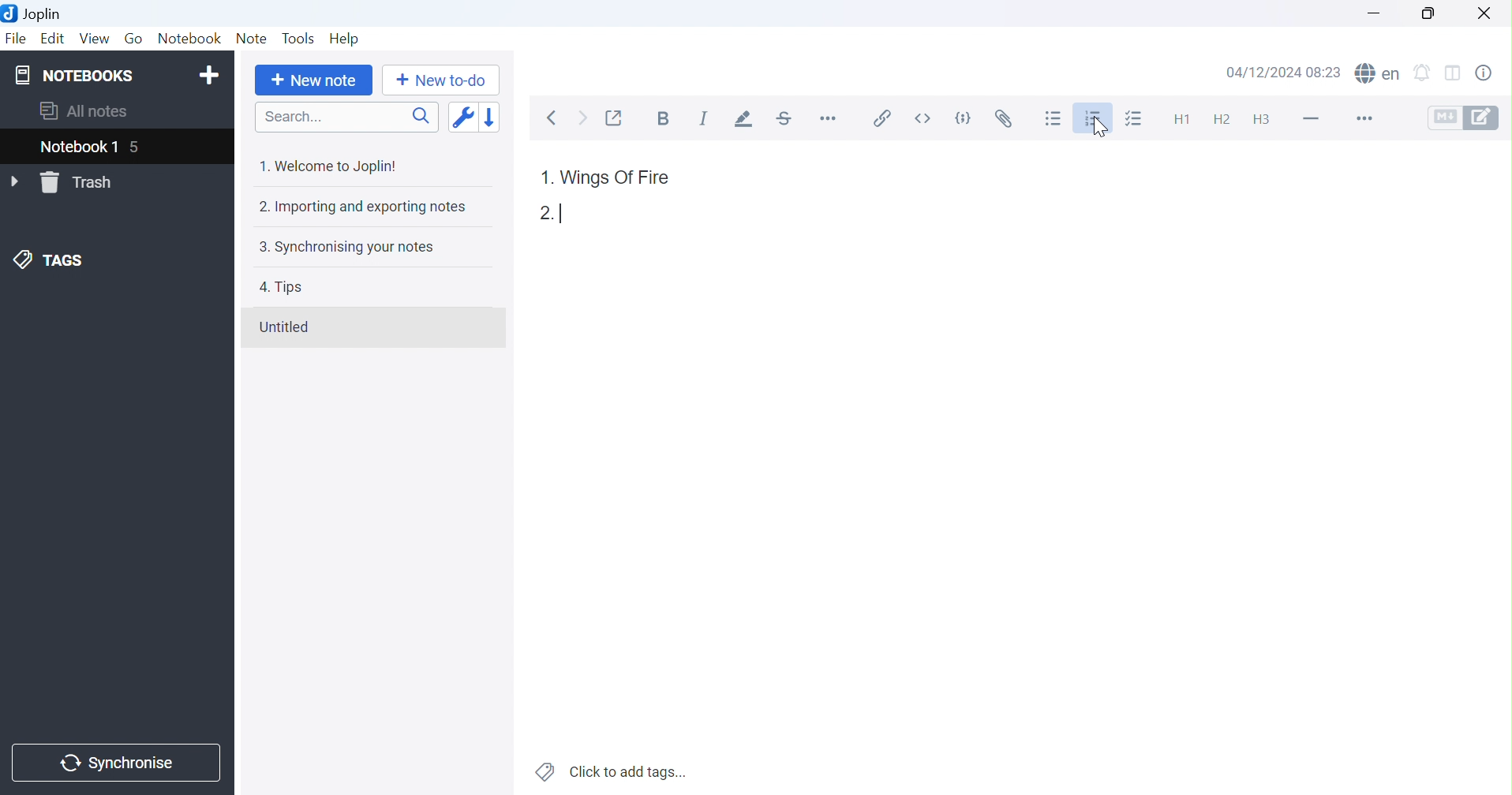 This screenshot has height=795, width=1512. What do you see at coordinates (135, 39) in the screenshot?
I see `Go` at bounding box center [135, 39].